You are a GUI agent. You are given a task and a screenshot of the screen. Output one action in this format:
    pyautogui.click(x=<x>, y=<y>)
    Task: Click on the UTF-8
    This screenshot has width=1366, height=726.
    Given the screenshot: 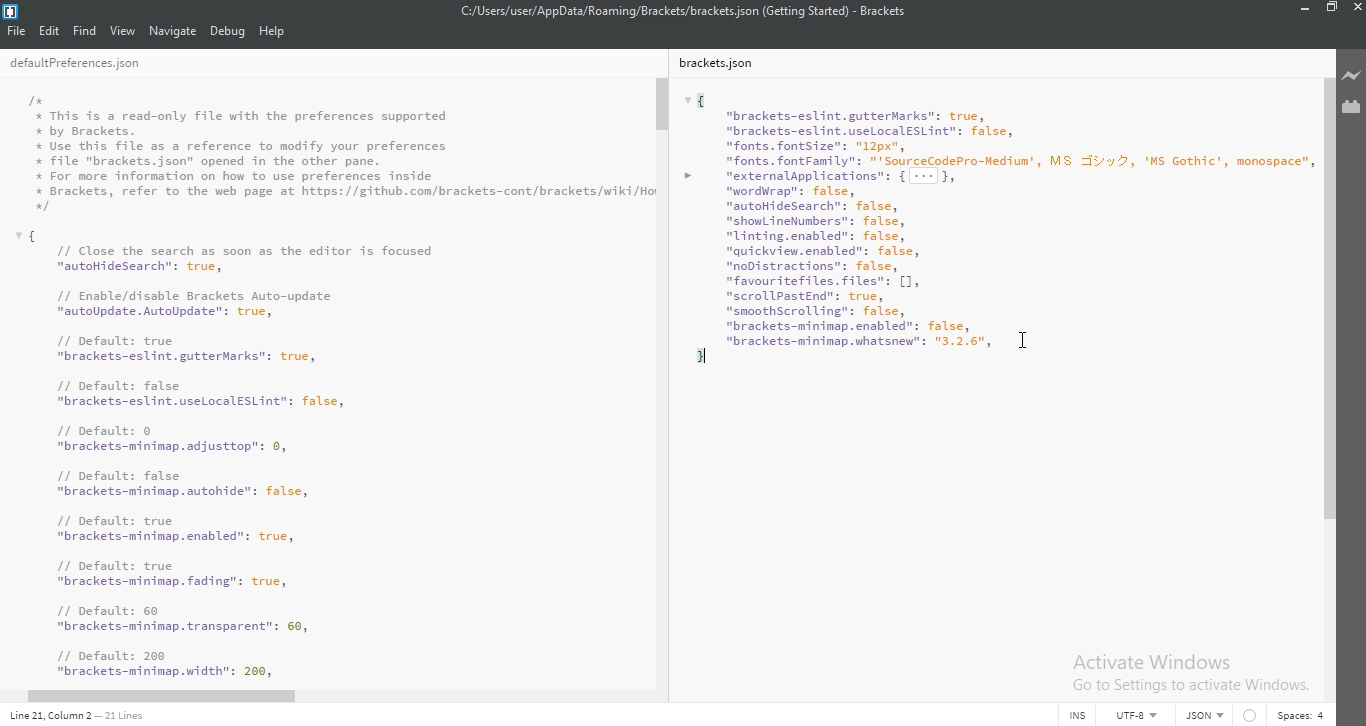 What is the action you would take?
    pyautogui.click(x=1132, y=714)
    